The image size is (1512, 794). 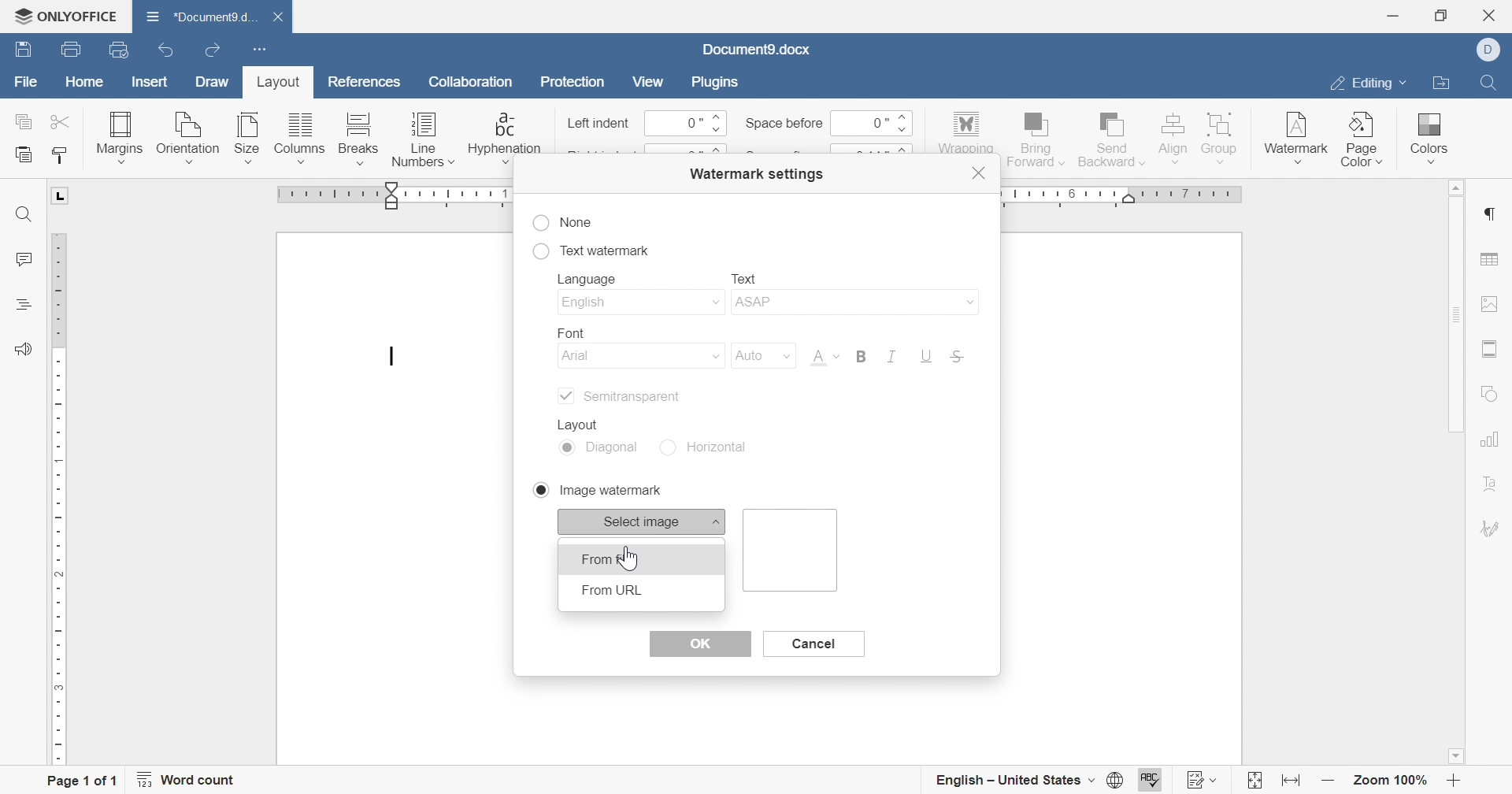 What do you see at coordinates (712, 80) in the screenshot?
I see `plugins` at bounding box center [712, 80].